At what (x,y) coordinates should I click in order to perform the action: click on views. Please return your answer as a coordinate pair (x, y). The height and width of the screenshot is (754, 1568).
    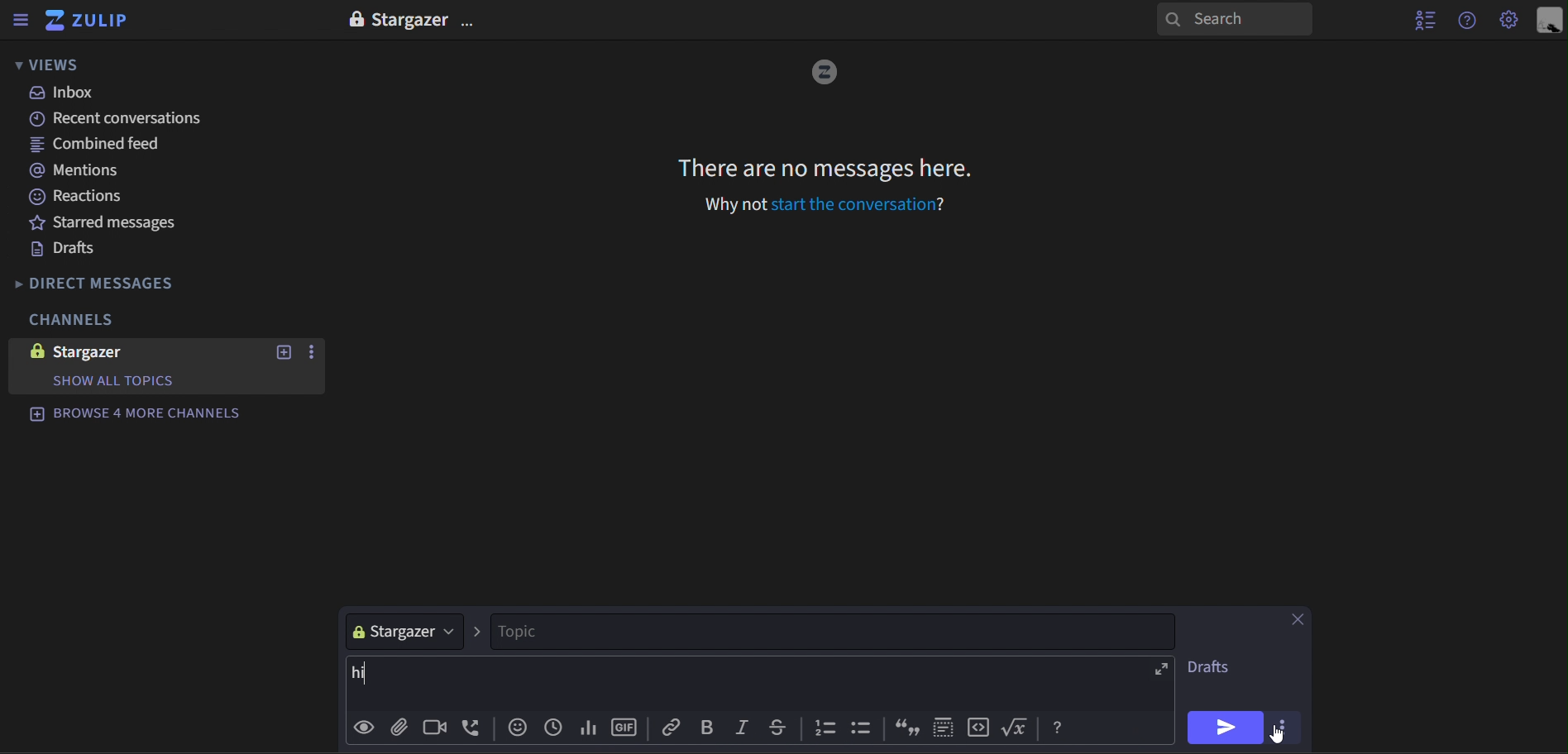
    Looking at the image, I should click on (60, 64).